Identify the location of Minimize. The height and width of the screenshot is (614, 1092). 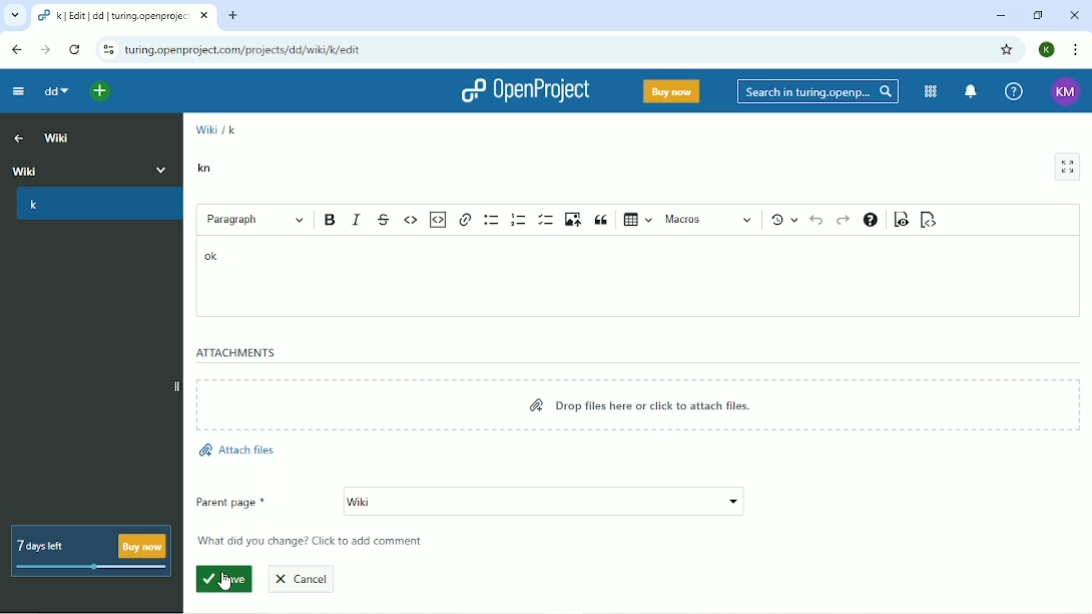
(1001, 16).